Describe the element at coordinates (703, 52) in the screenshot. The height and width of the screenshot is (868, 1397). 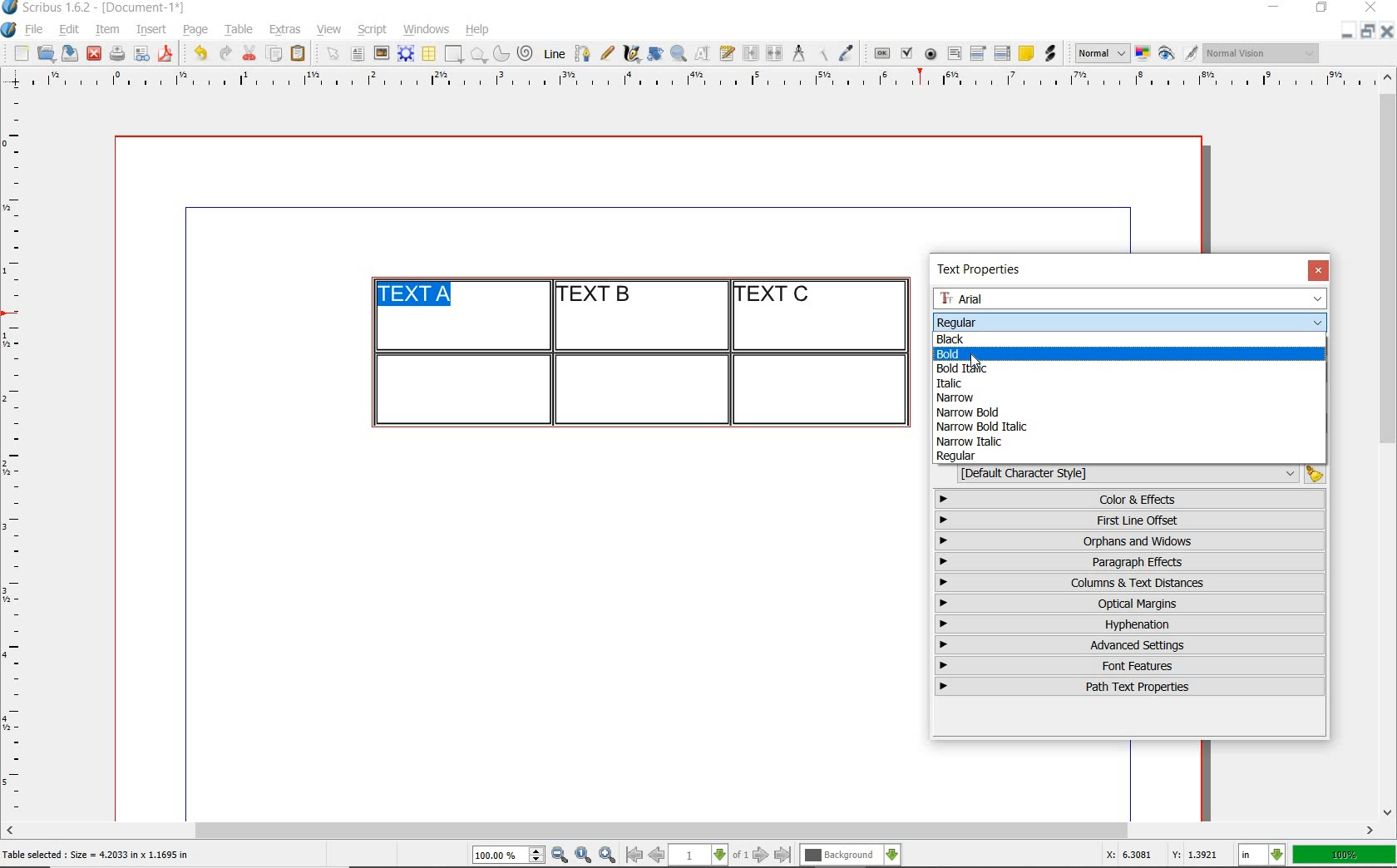
I see `edit contents of frame` at that location.